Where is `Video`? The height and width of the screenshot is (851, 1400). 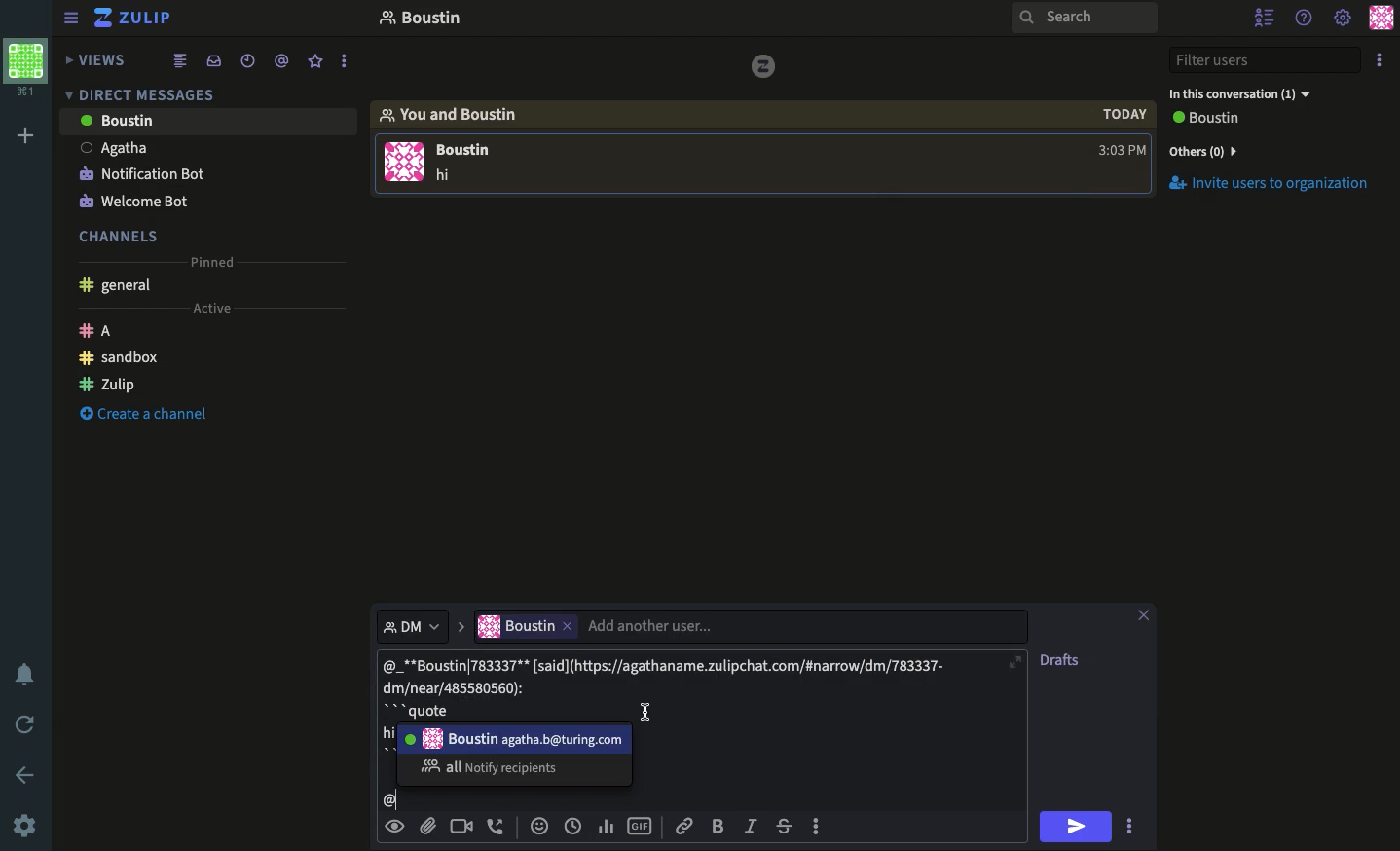 Video is located at coordinates (461, 827).